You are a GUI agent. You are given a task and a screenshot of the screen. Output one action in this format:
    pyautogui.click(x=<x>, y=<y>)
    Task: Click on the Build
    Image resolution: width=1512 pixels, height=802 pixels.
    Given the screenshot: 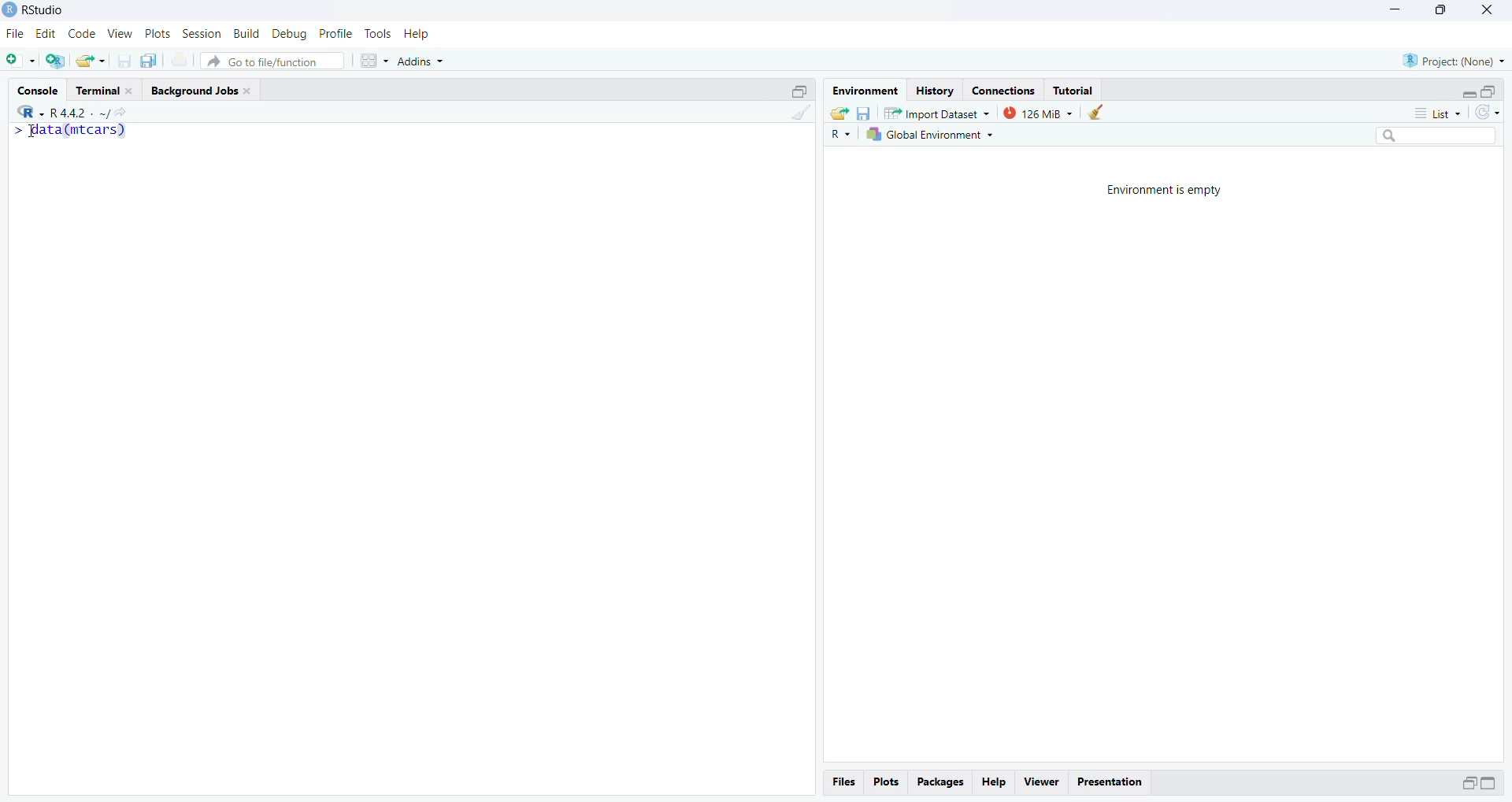 What is the action you would take?
    pyautogui.click(x=246, y=33)
    